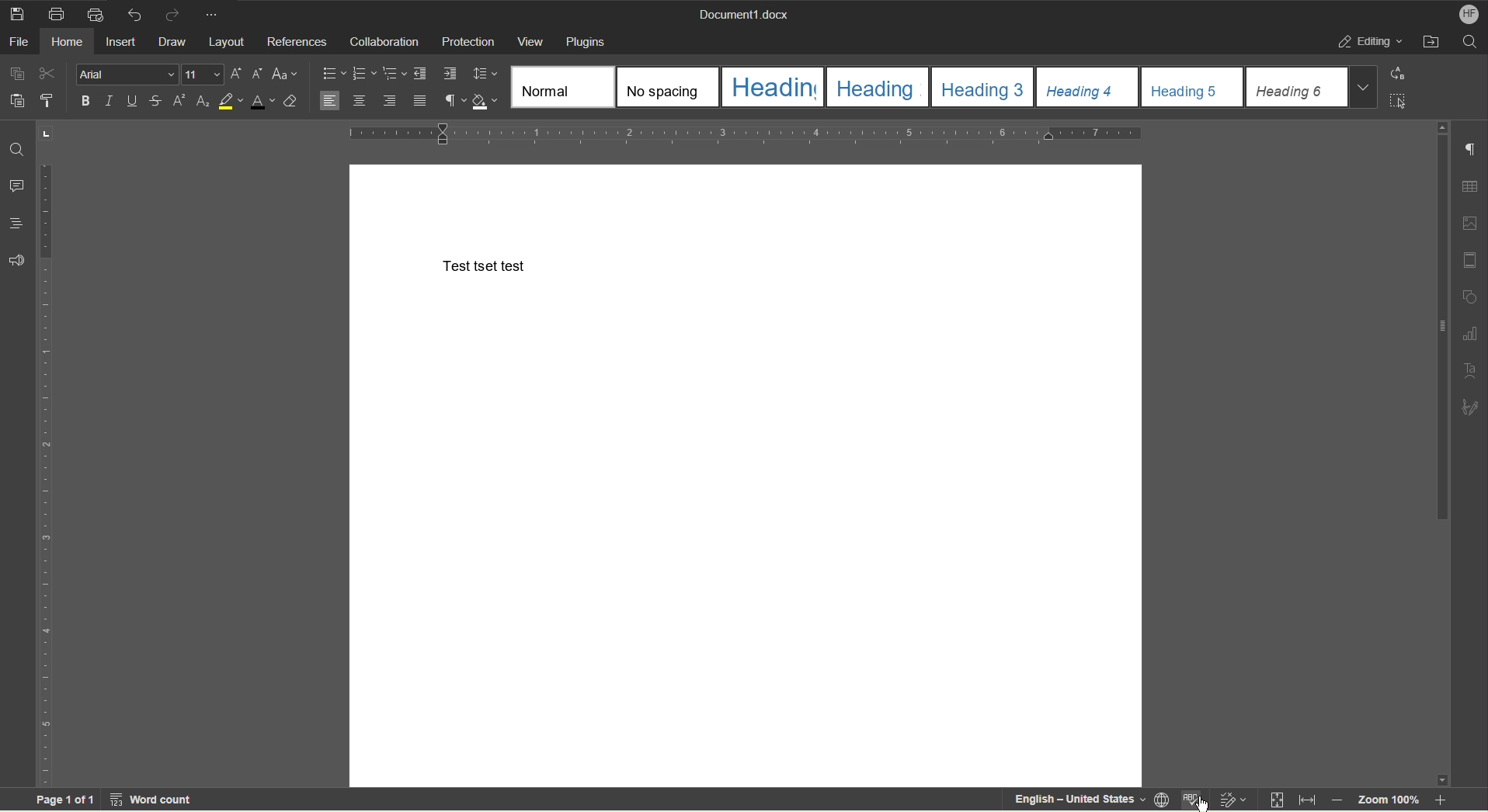 The height and width of the screenshot is (812, 1488). Describe the element at coordinates (174, 42) in the screenshot. I see `Draw` at that location.